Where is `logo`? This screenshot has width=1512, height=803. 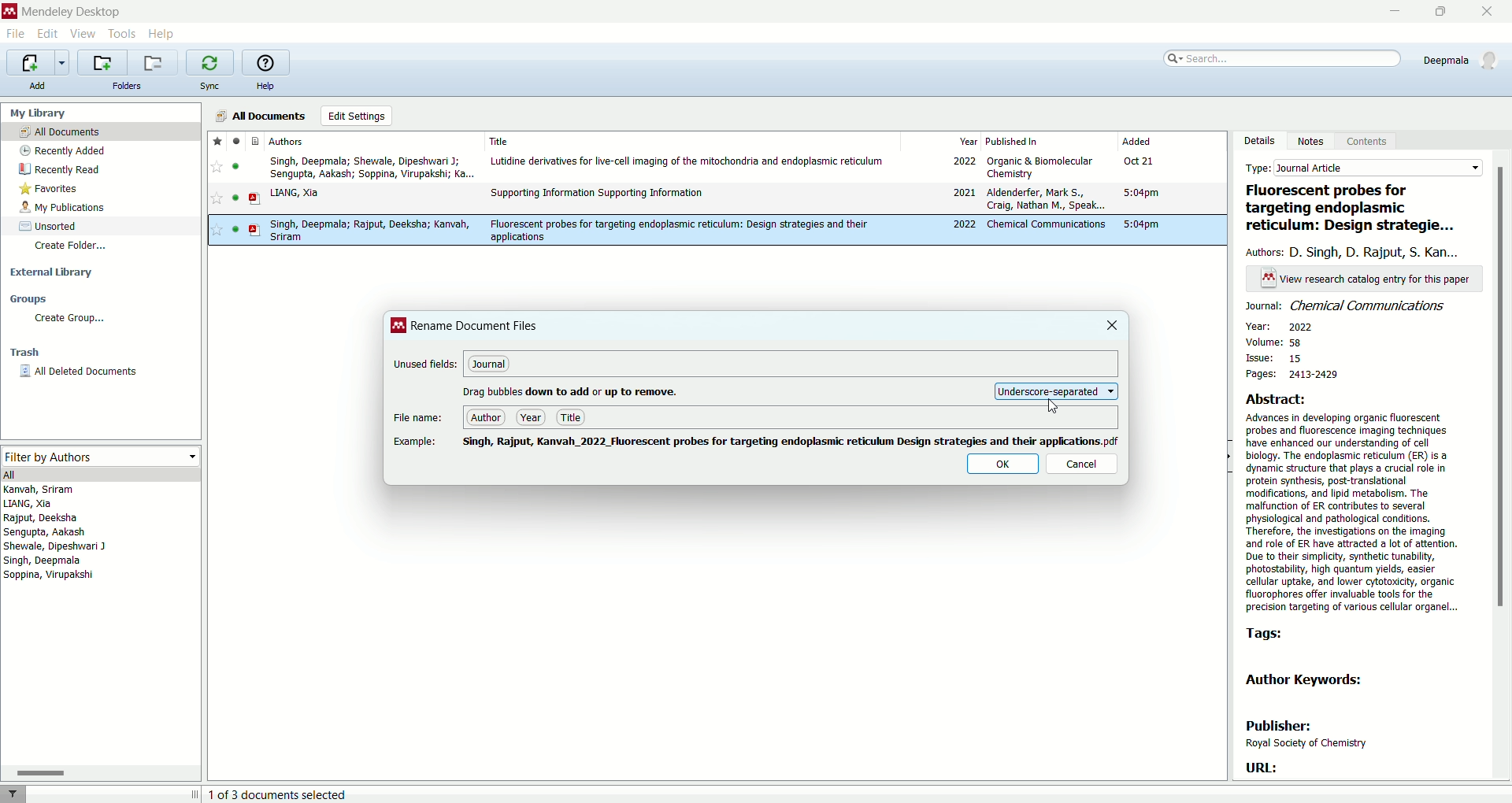
logo is located at coordinates (9, 10).